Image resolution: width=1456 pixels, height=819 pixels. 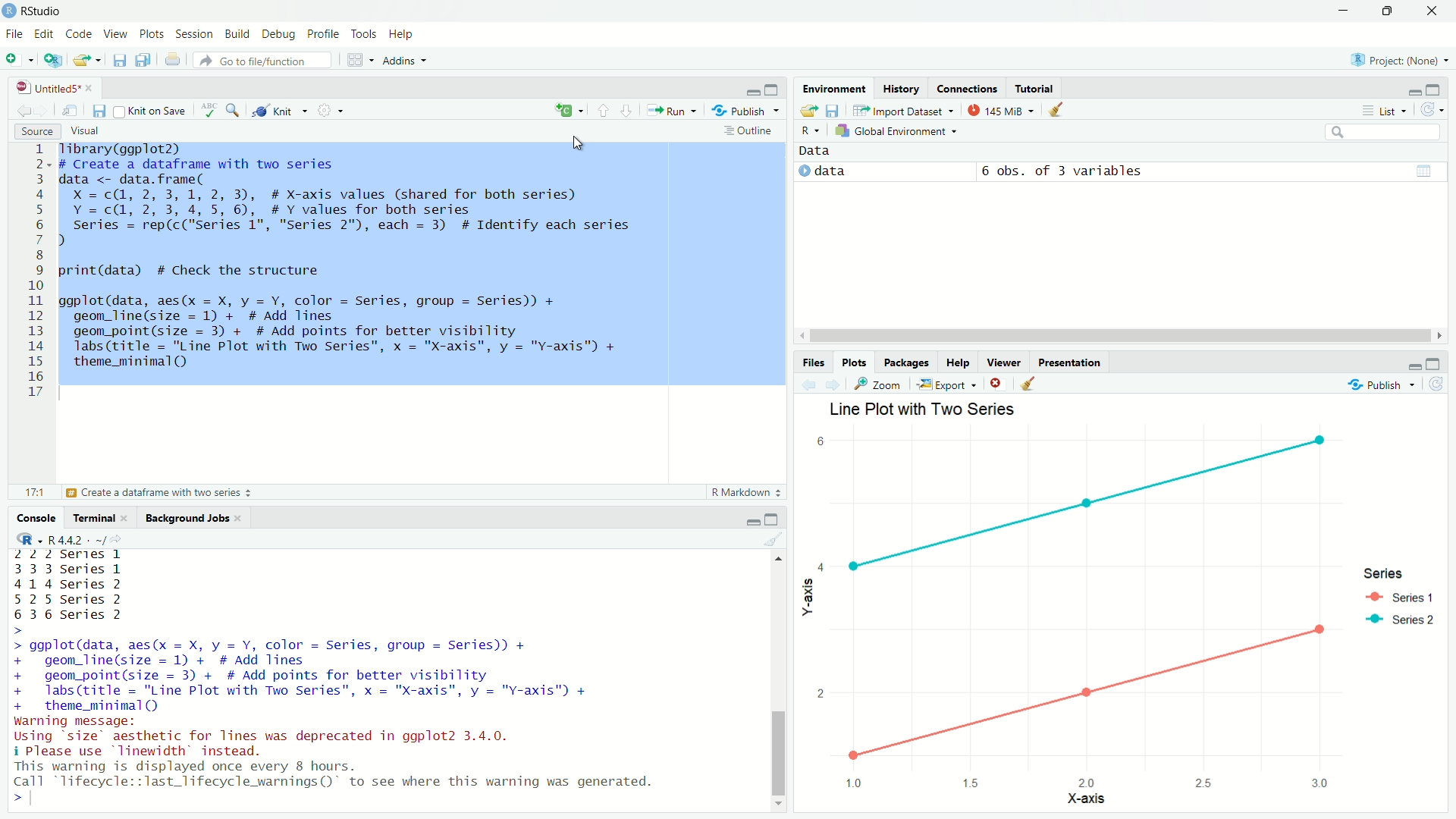 What do you see at coordinates (208, 111) in the screenshot?
I see `ABC` at bounding box center [208, 111].